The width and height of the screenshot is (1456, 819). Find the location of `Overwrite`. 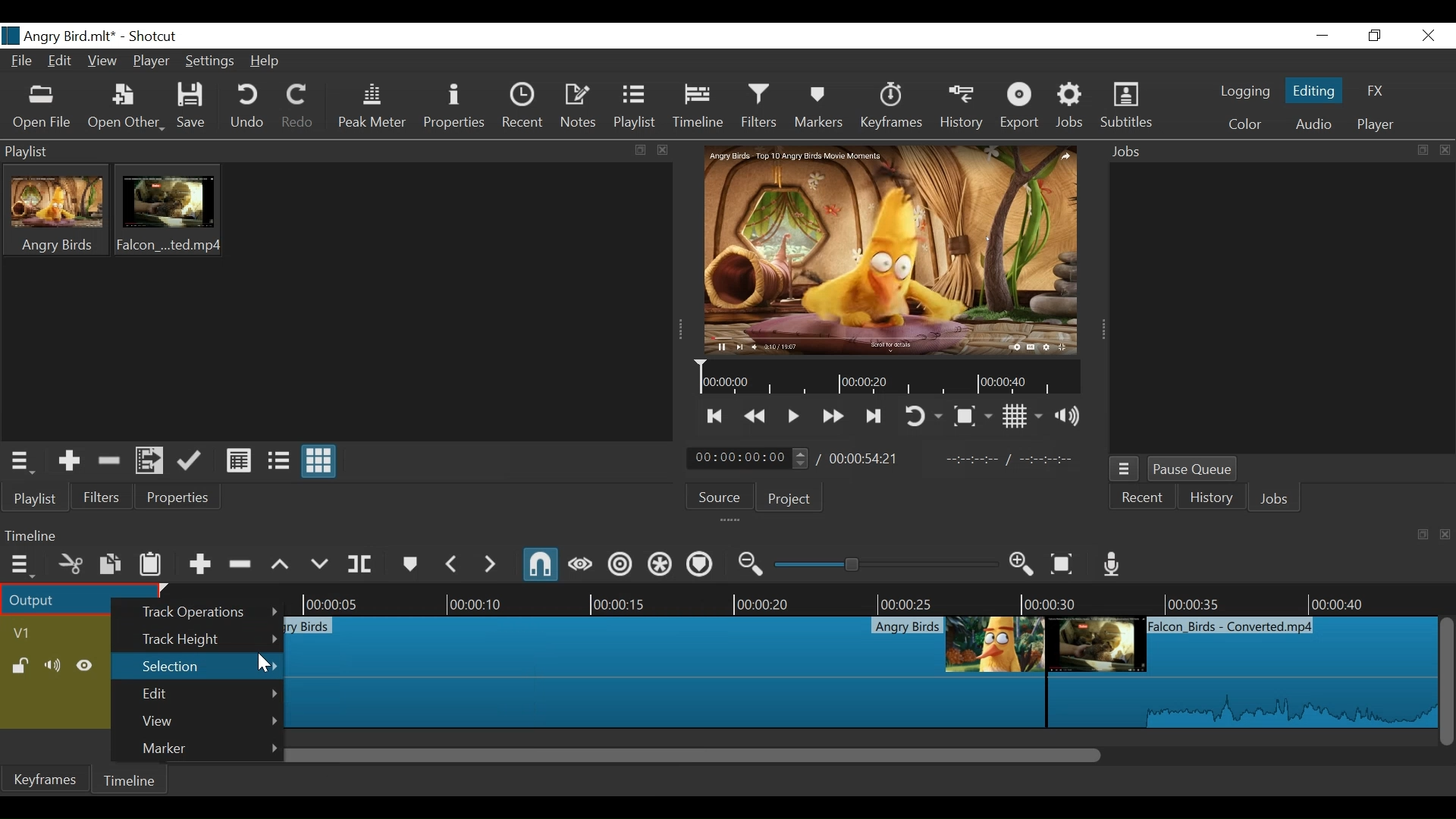

Overwrite is located at coordinates (319, 564).